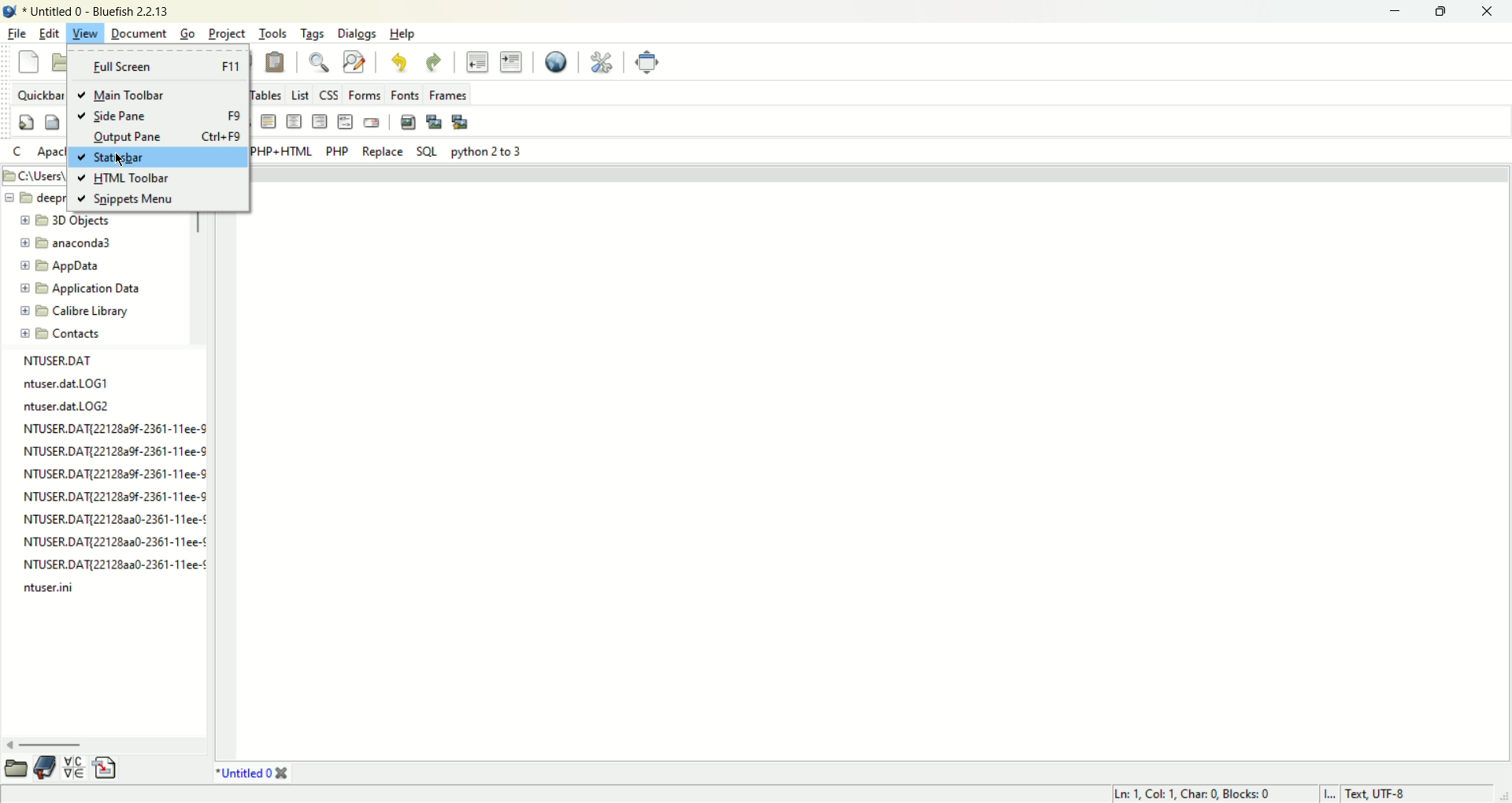 The width and height of the screenshot is (1512, 803). I want to click on file, so click(16, 35).